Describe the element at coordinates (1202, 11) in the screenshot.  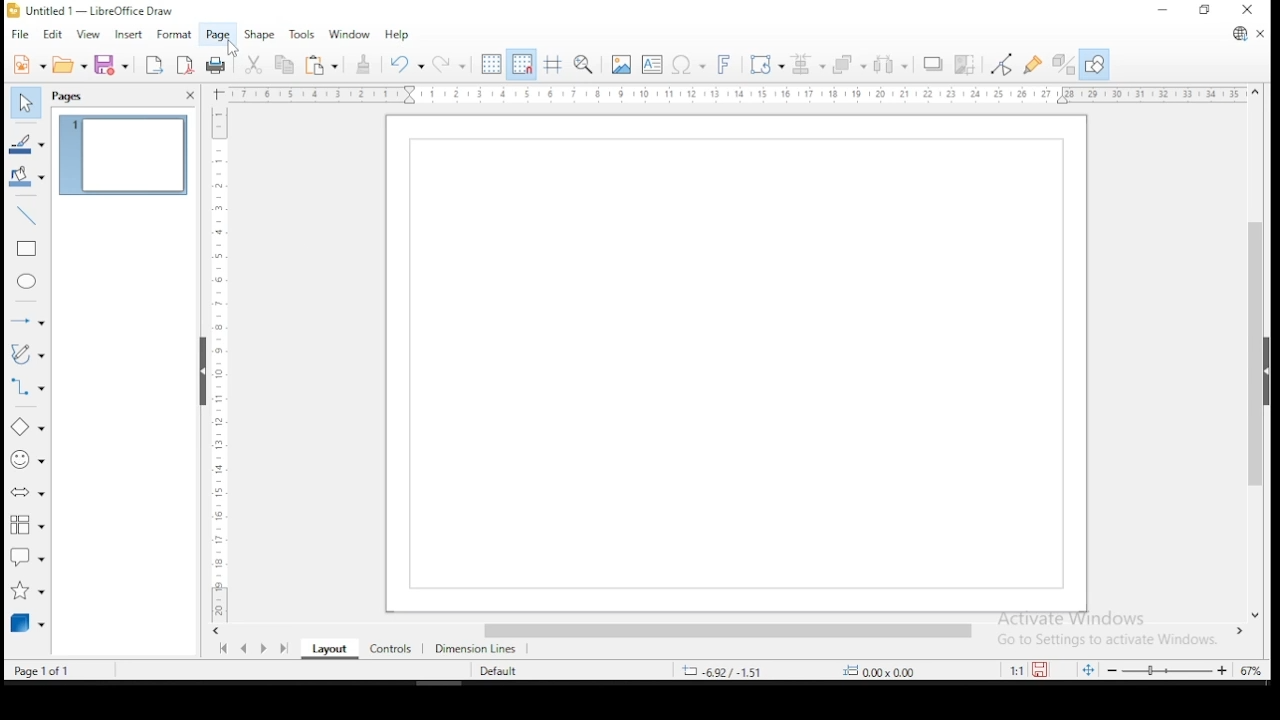
I see `restore` at that location.